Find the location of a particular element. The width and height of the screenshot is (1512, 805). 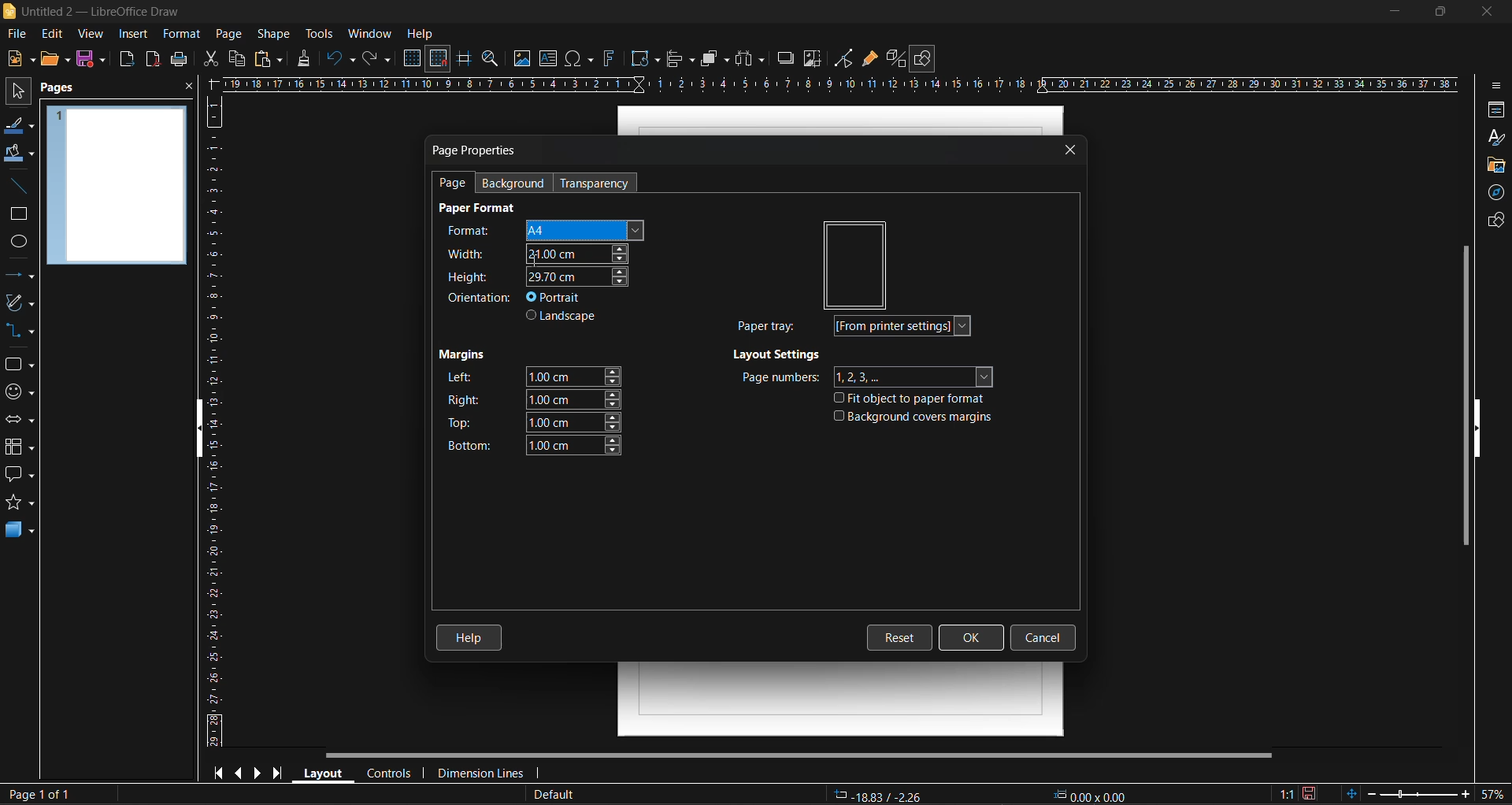

vertical ruler is located at coordinates (213, 425).